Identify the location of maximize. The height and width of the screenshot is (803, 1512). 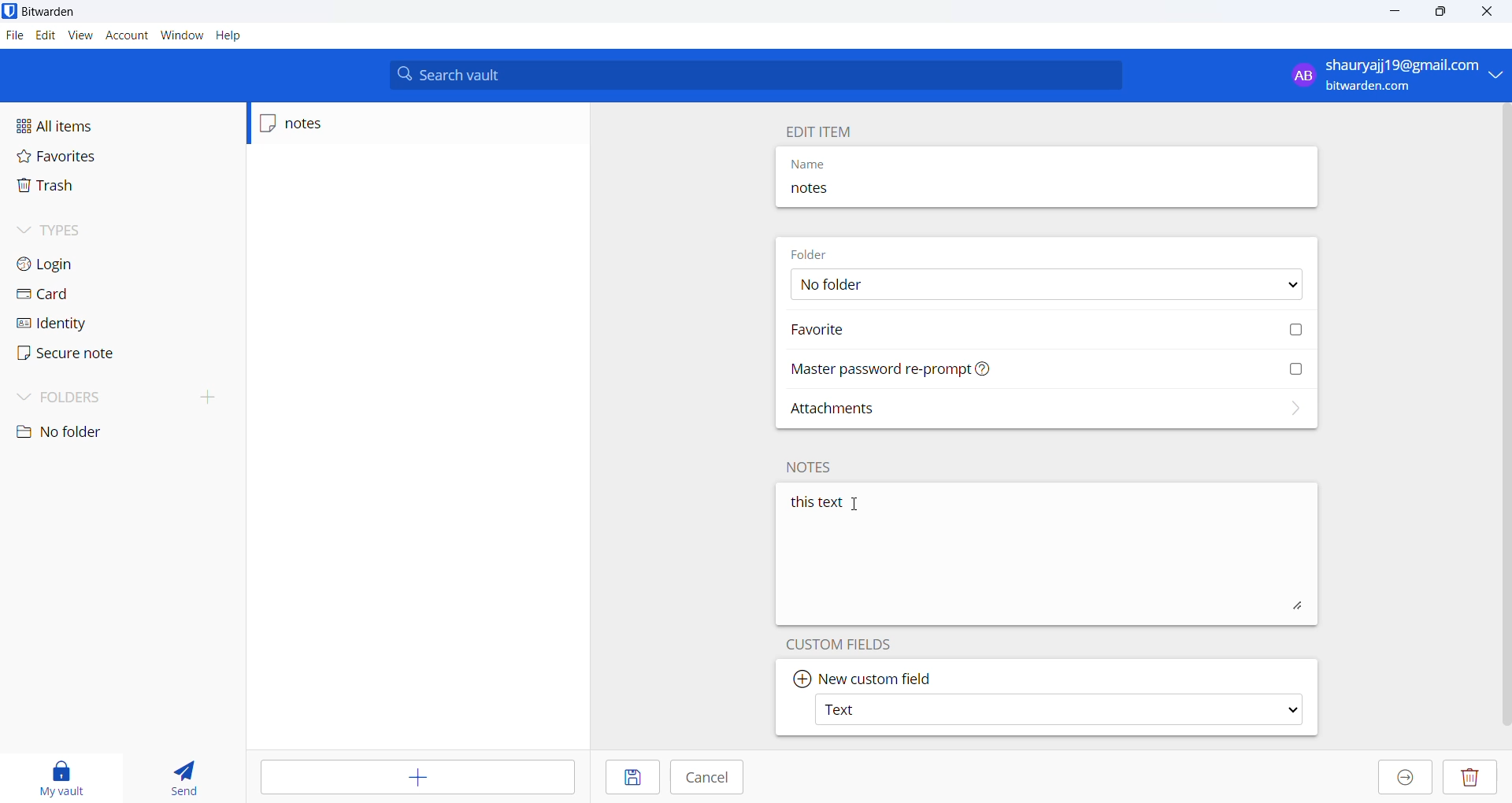
(1434, 12).